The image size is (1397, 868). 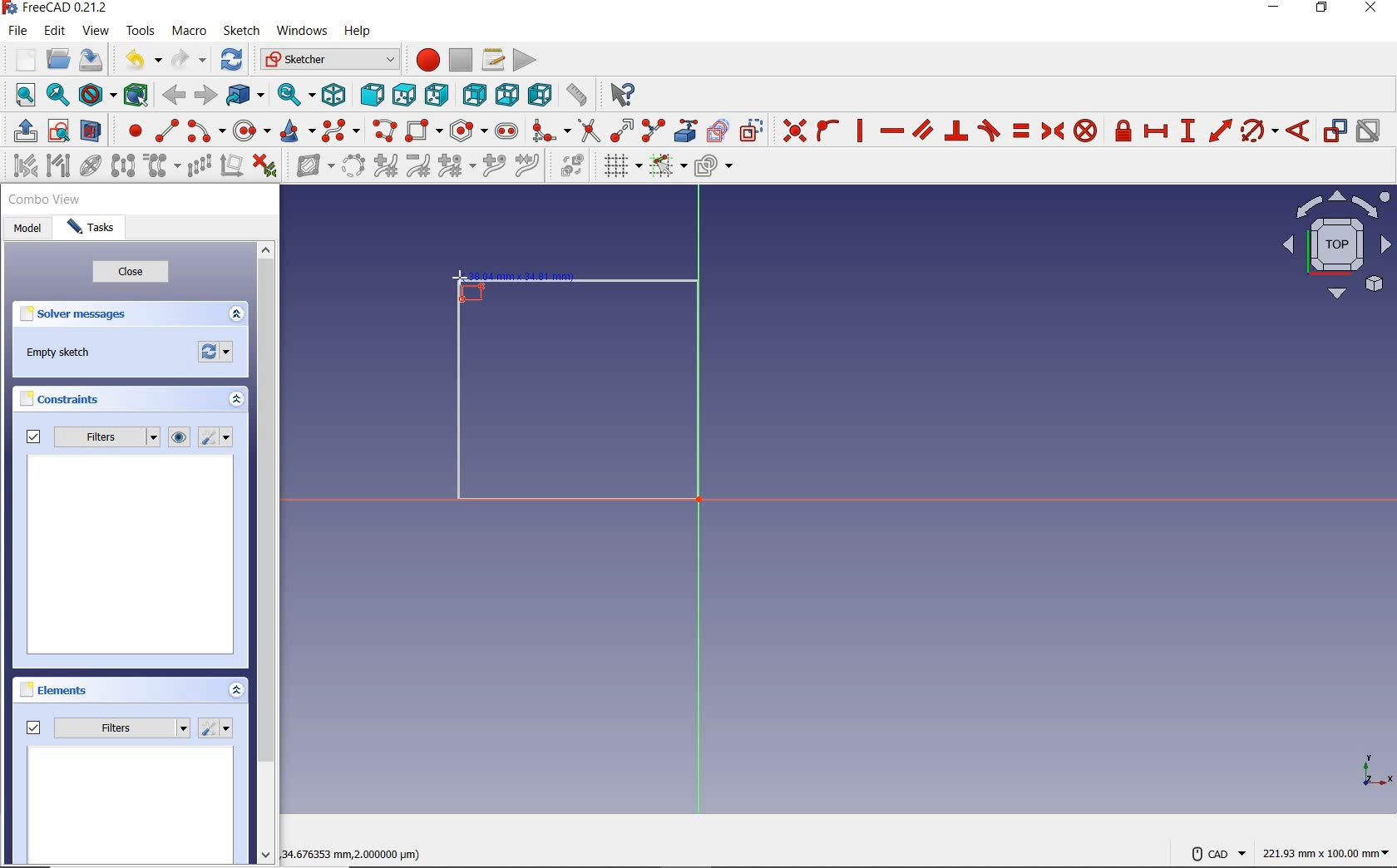 I want to click on create regular polygon, so click(x=466, y=131).